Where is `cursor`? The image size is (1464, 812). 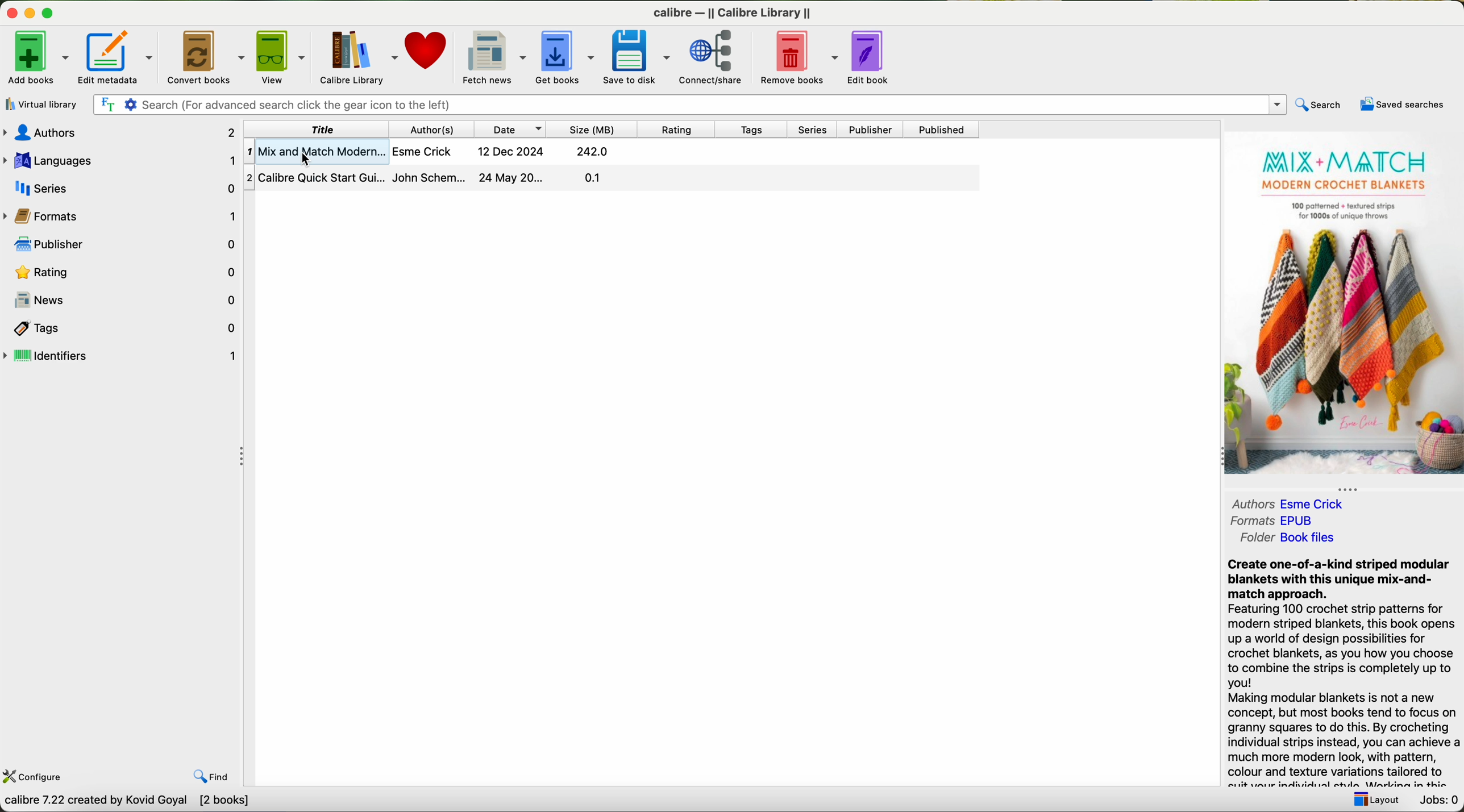 cursor is located at coordinates (310, 162).